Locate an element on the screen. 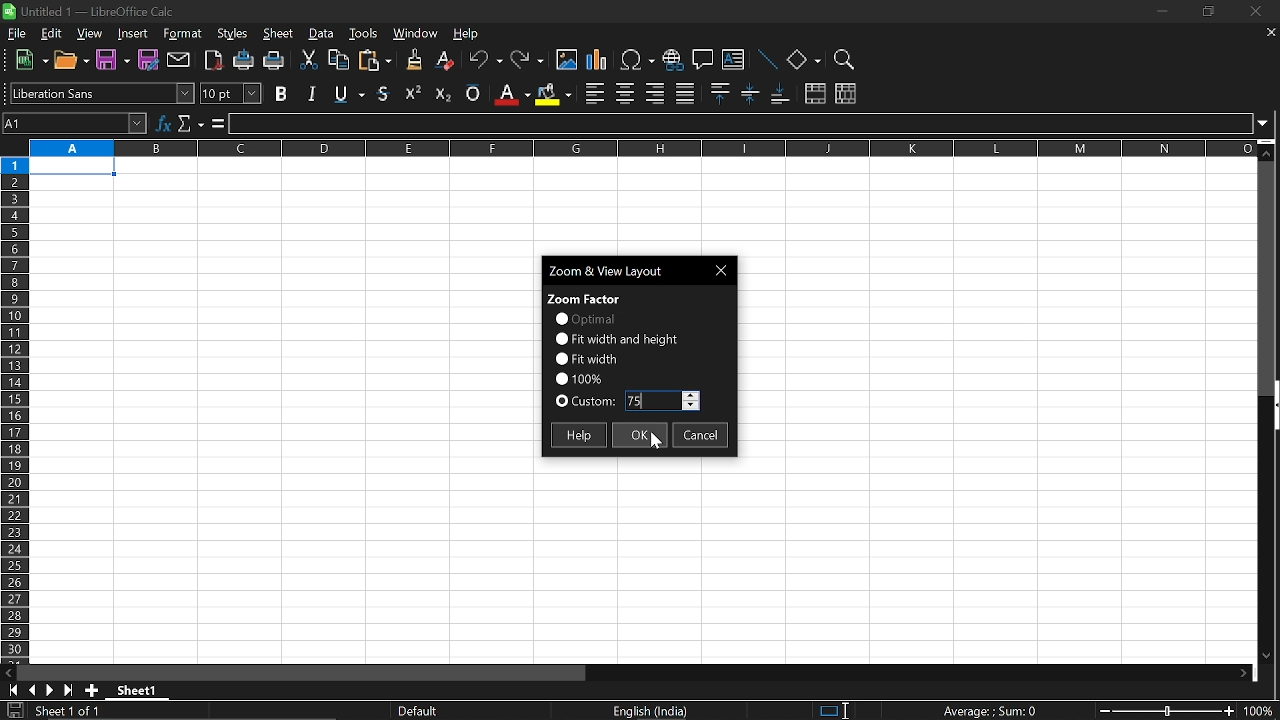 This screenshot has width=1280, height=720. window is located at coordinates (416, 35).